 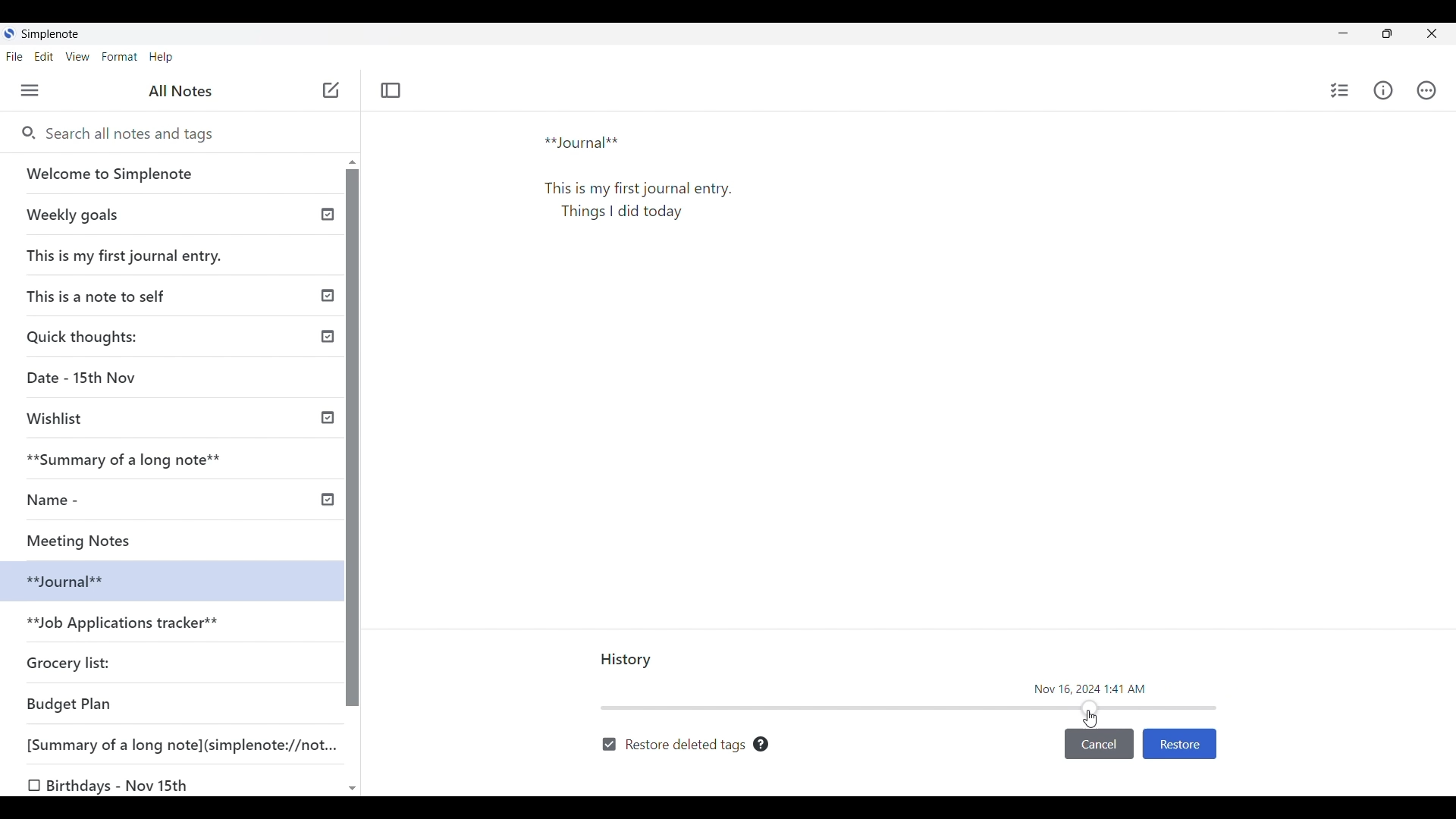 What do you see at coordinates (85, 336) in the screenshot?
I see `Quick thoughts:` at bounding box center [85, 336].